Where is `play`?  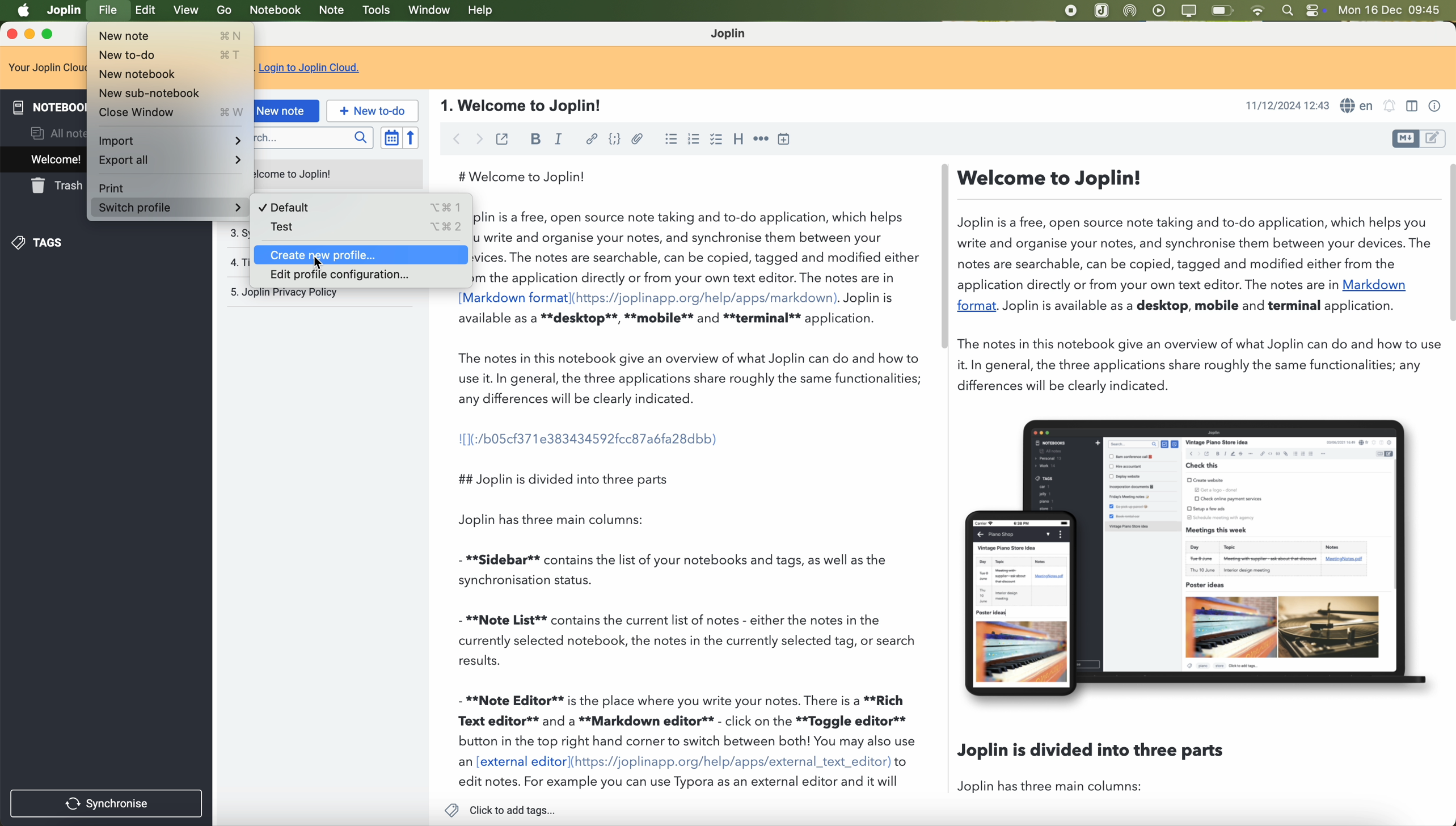
play is located at coordinates (1160, 10).